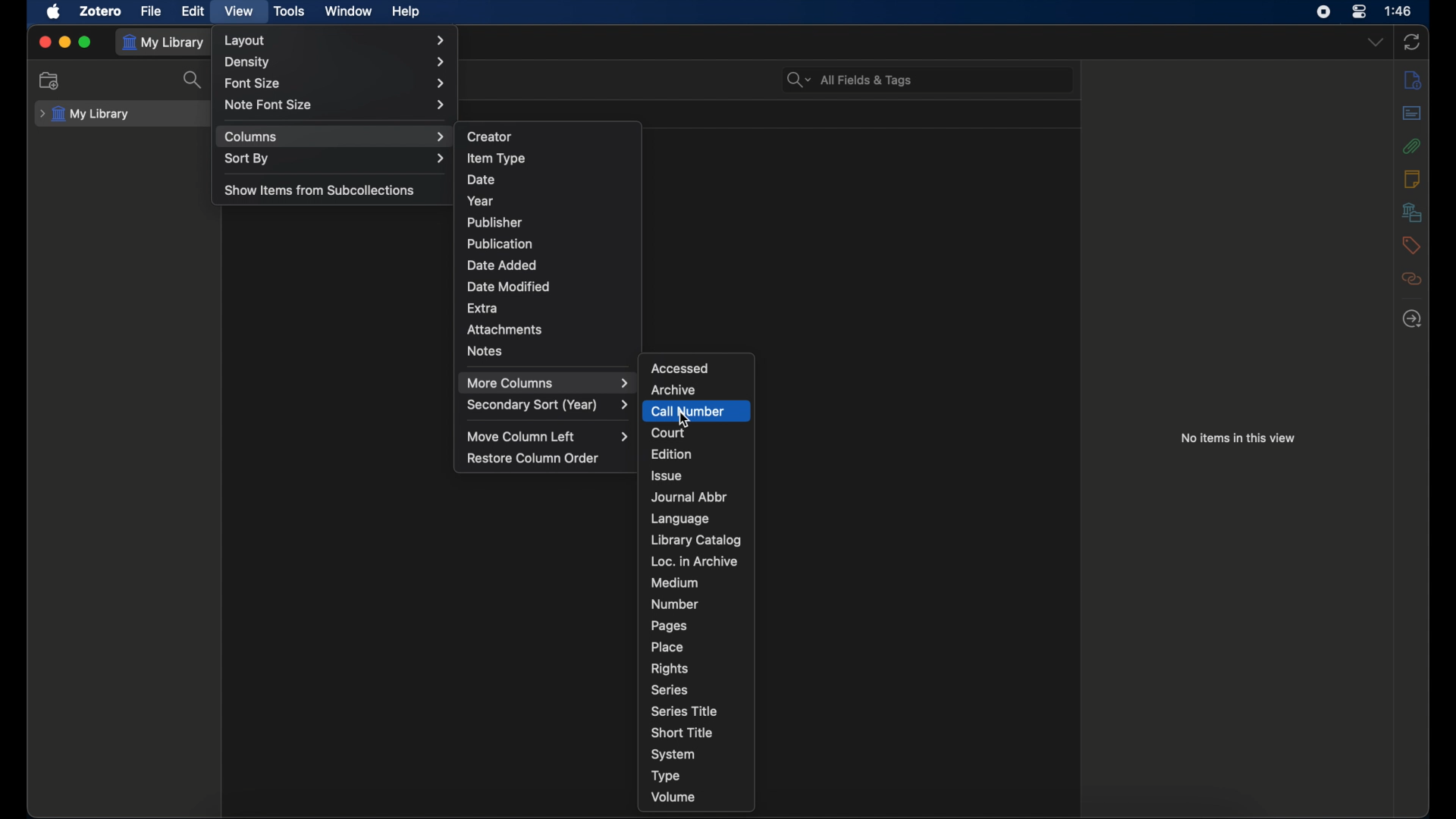  What do you see at coordinates (669, 667) in the screenshot?
I see `rights` at bounding box center [669, 667].